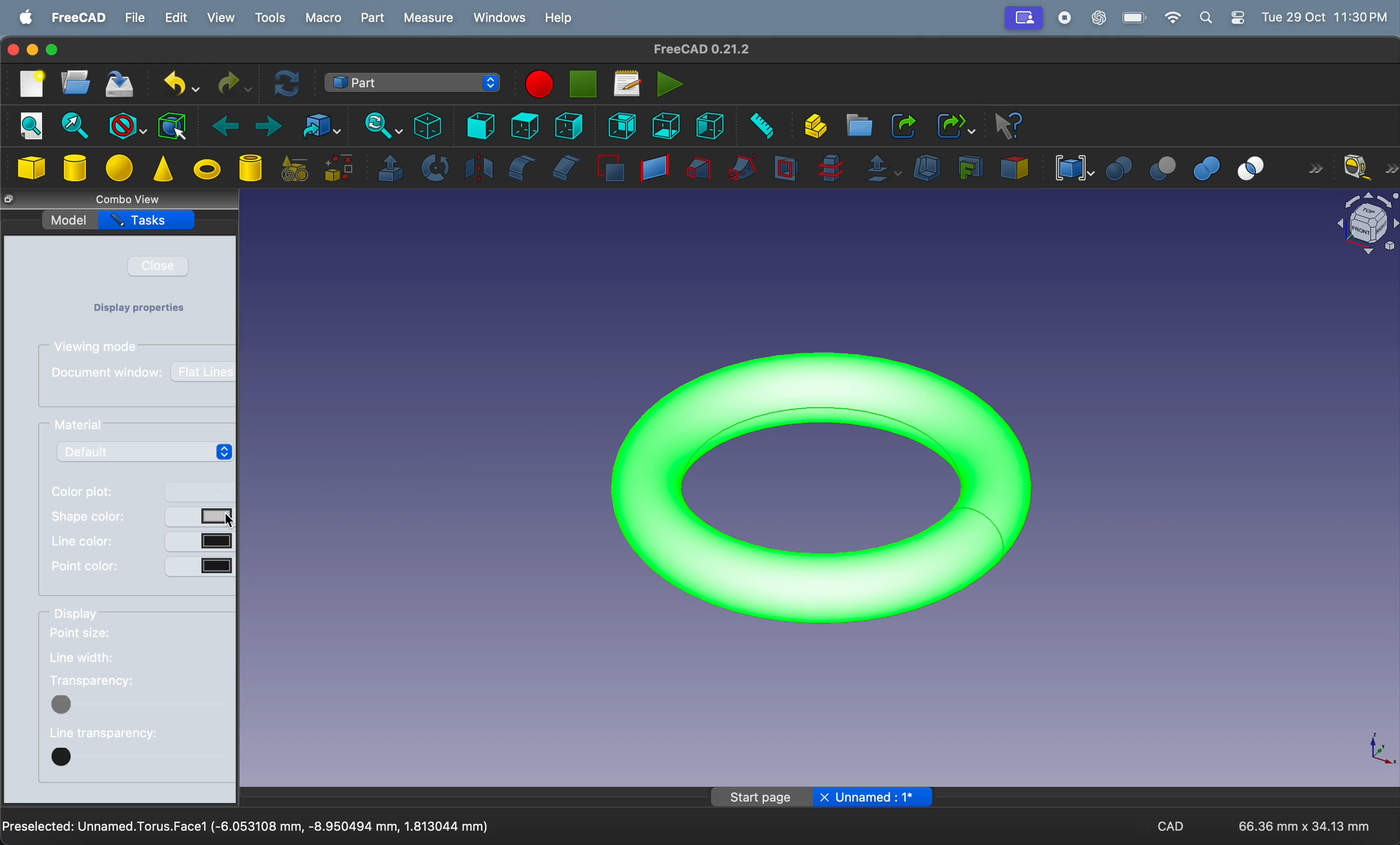 The image size is (1400, 845). What do you see at coordinates (52, 50) in the screenshot?
I see `maximize` at bounding box center [52, 50].